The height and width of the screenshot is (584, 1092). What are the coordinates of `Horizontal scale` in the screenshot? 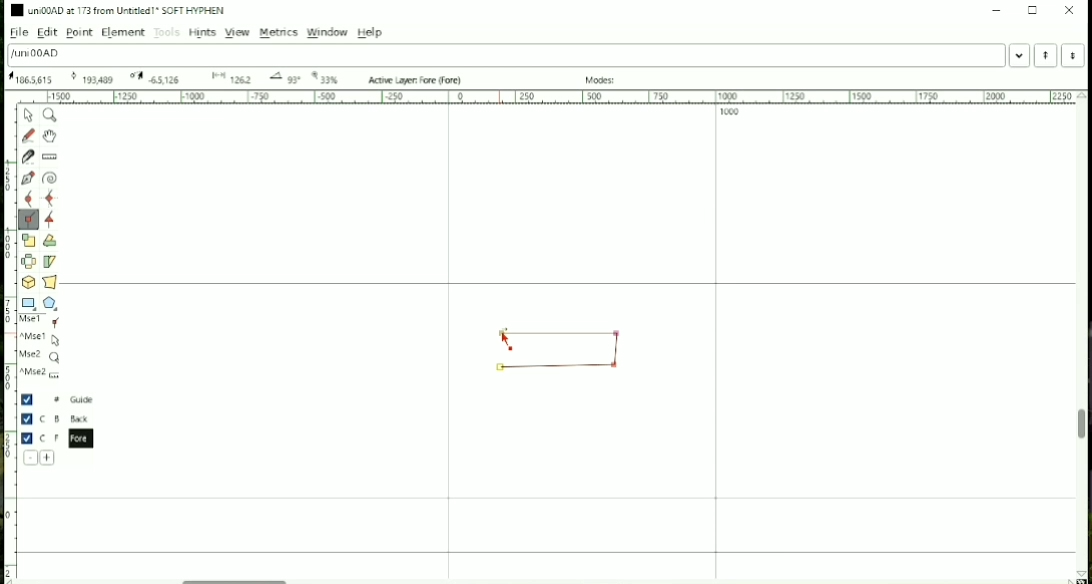 It's located at (547, 97).